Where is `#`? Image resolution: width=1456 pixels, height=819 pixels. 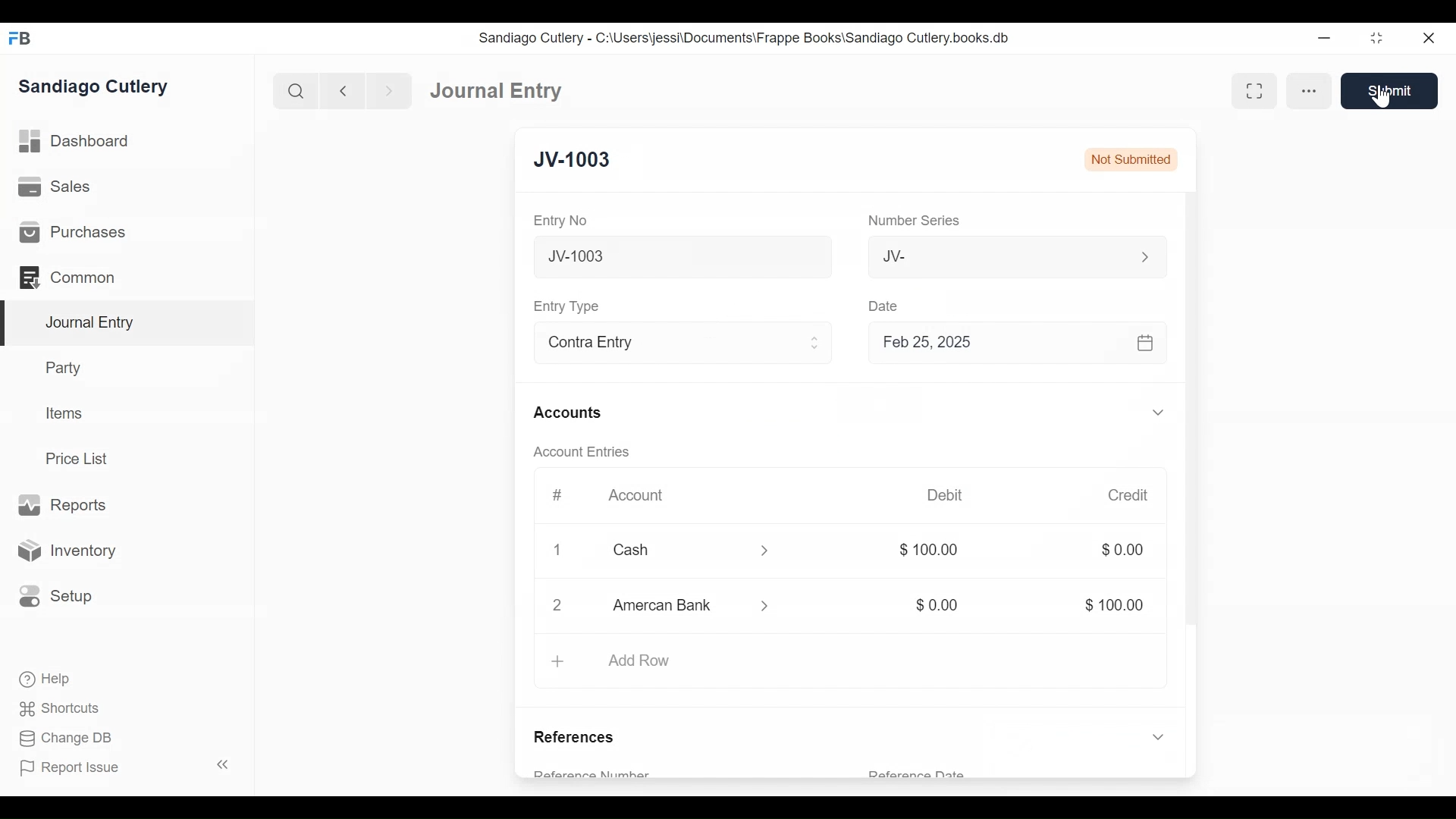
# is located at coordinates (560, 494).